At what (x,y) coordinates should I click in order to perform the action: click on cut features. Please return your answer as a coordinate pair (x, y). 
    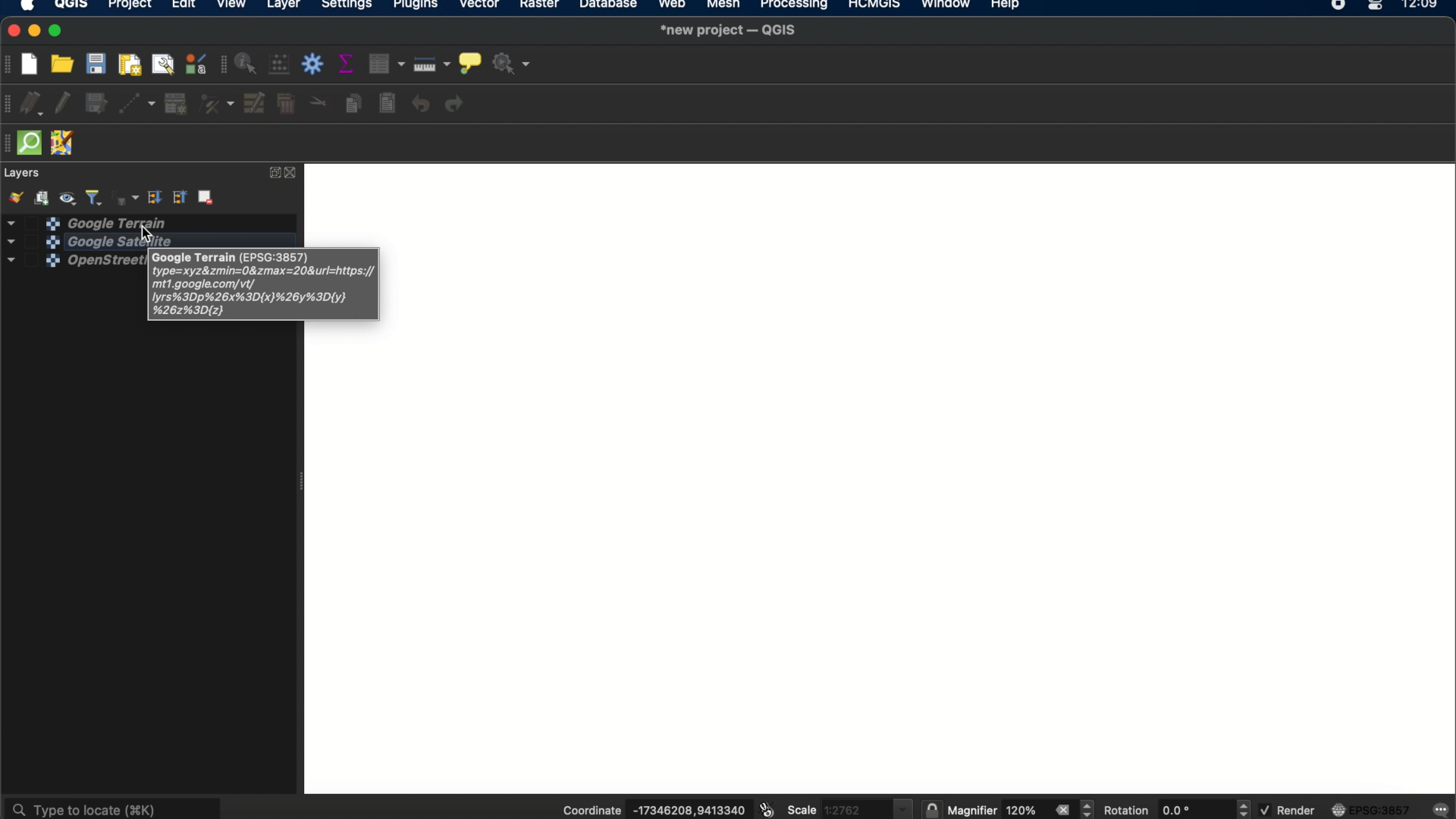
    Looking at the image, I should click on (318, 102).